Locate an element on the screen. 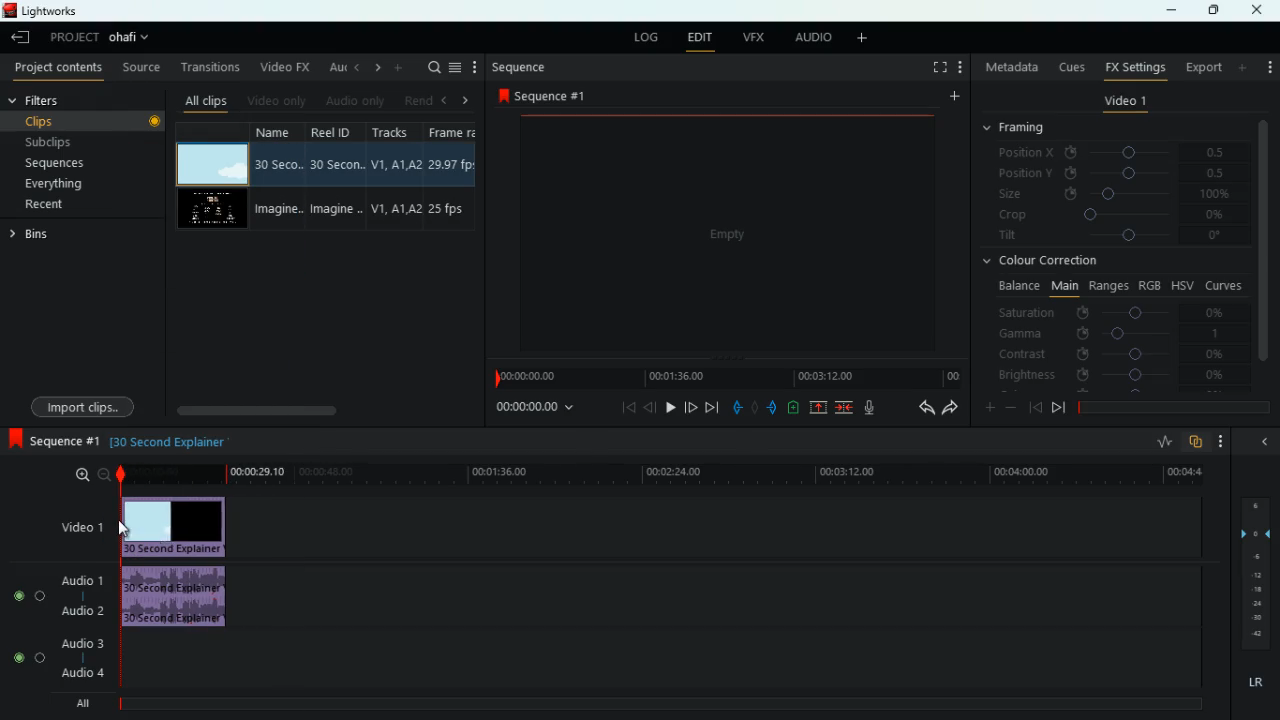 This screenshot has width=1280, height=720. recent is located at coordinates (66, 206).